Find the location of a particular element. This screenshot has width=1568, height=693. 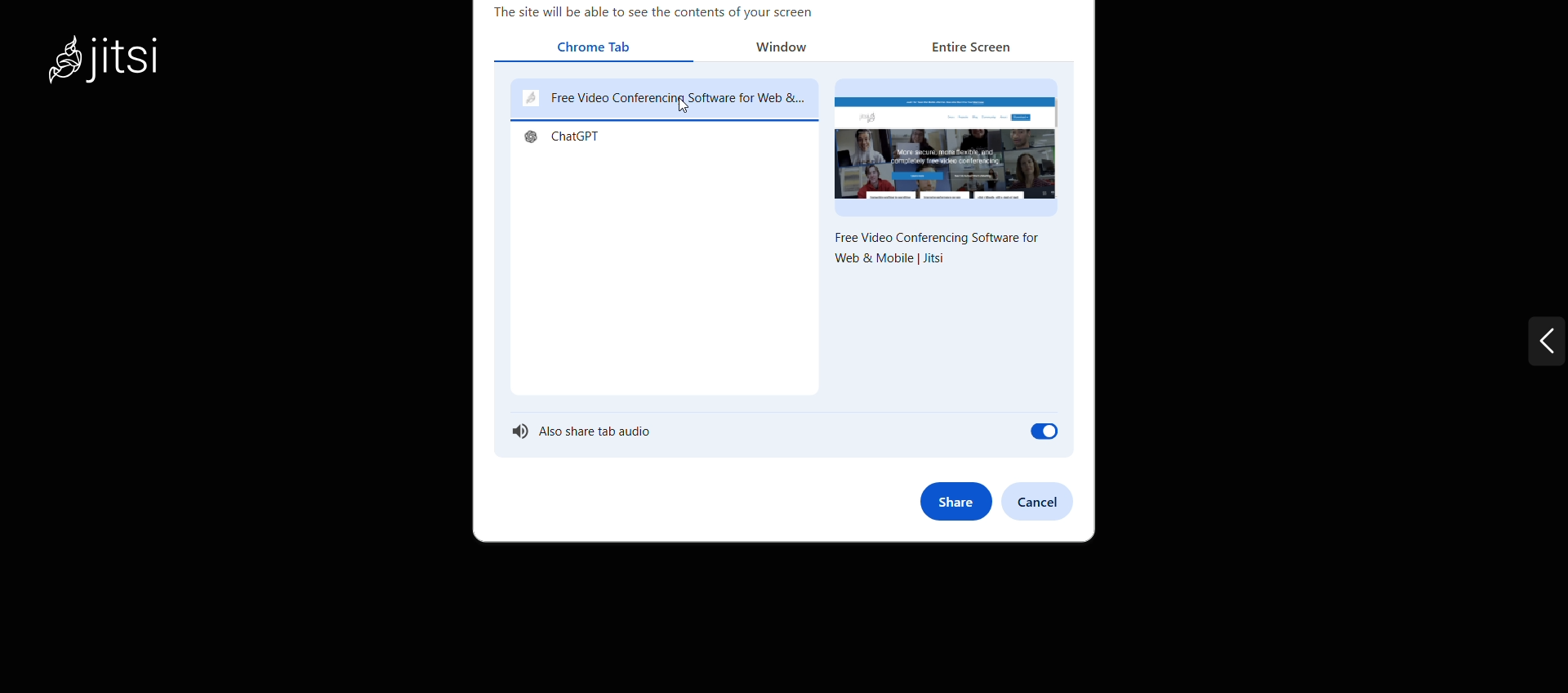

The site will be able to see the contents of your screen is located at coordinates (657, 12).